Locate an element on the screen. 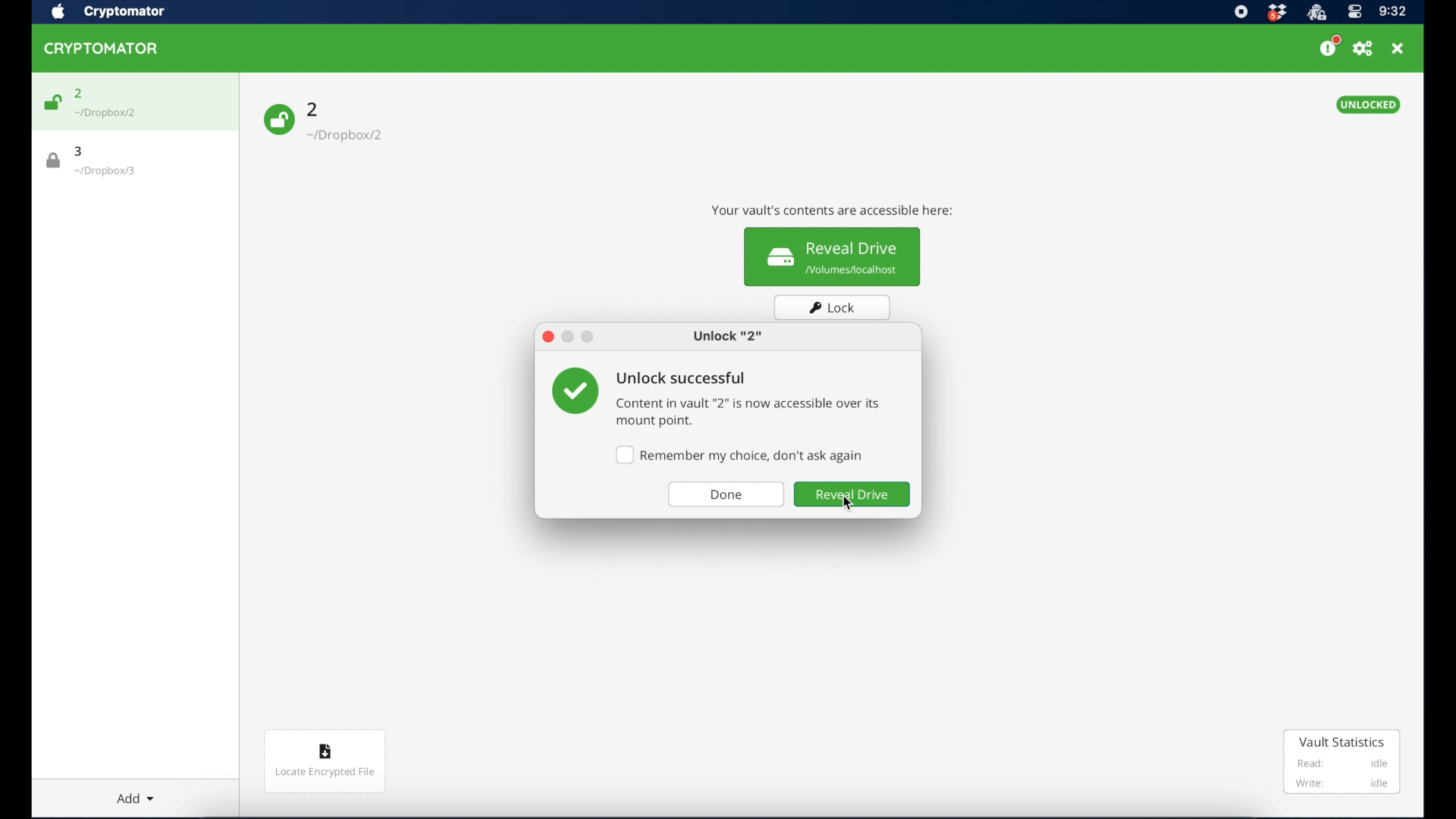  info is located at coordinates (834, 210).